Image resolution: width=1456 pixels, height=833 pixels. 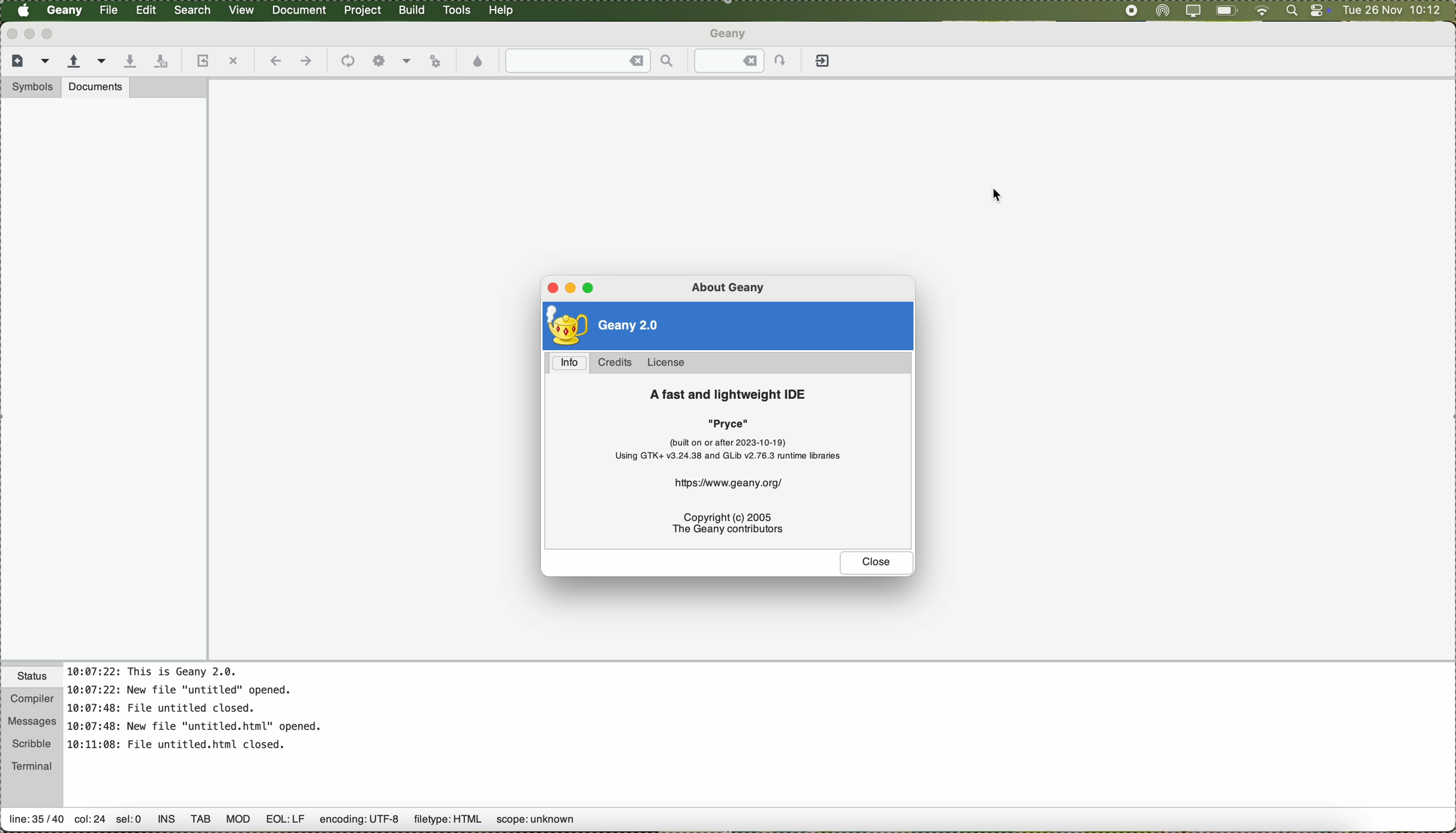 I want to click on click on Geany, so click(x=66, y=14).